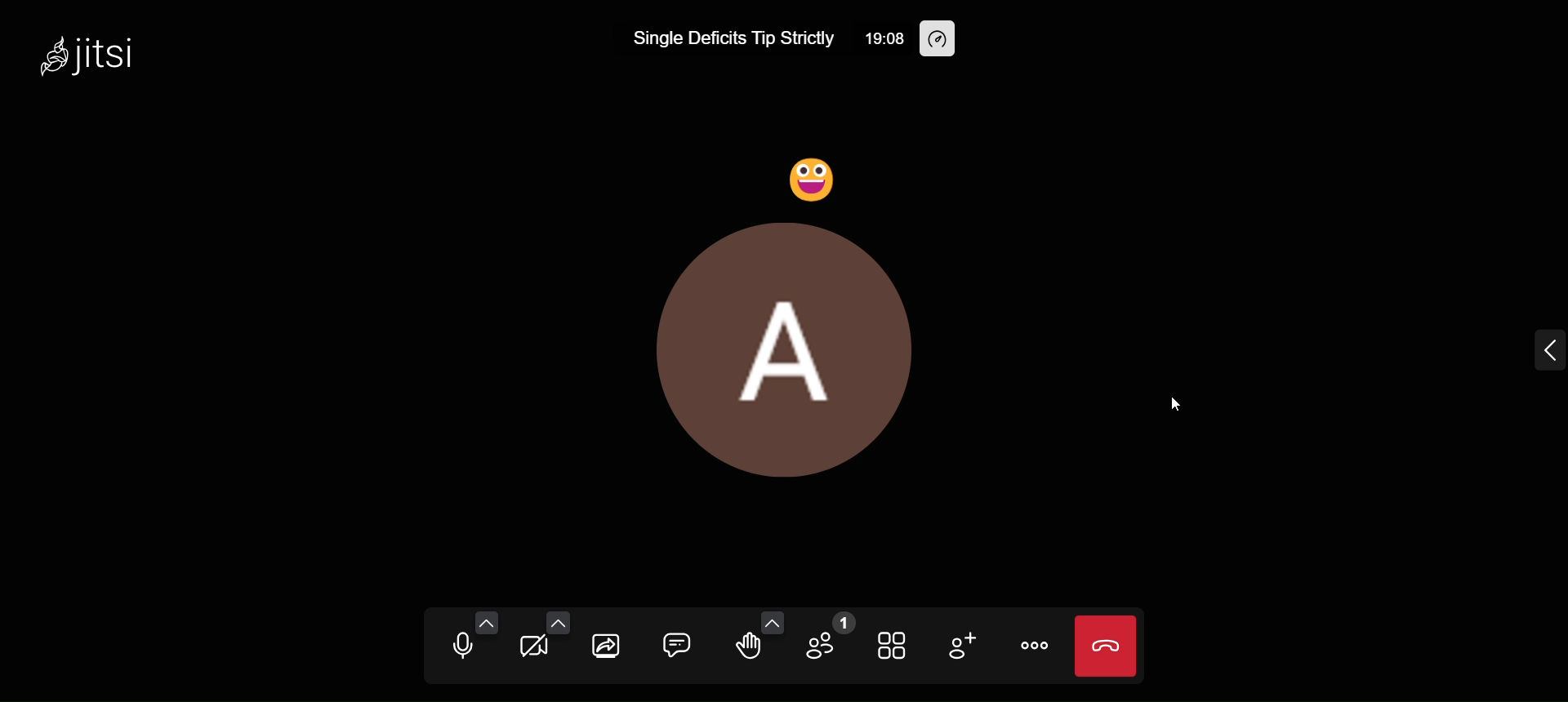 The image size is (1568, 702). Describe the element at coordinates (1175, 401) in the screenshot. I see `Cursor` at that location.